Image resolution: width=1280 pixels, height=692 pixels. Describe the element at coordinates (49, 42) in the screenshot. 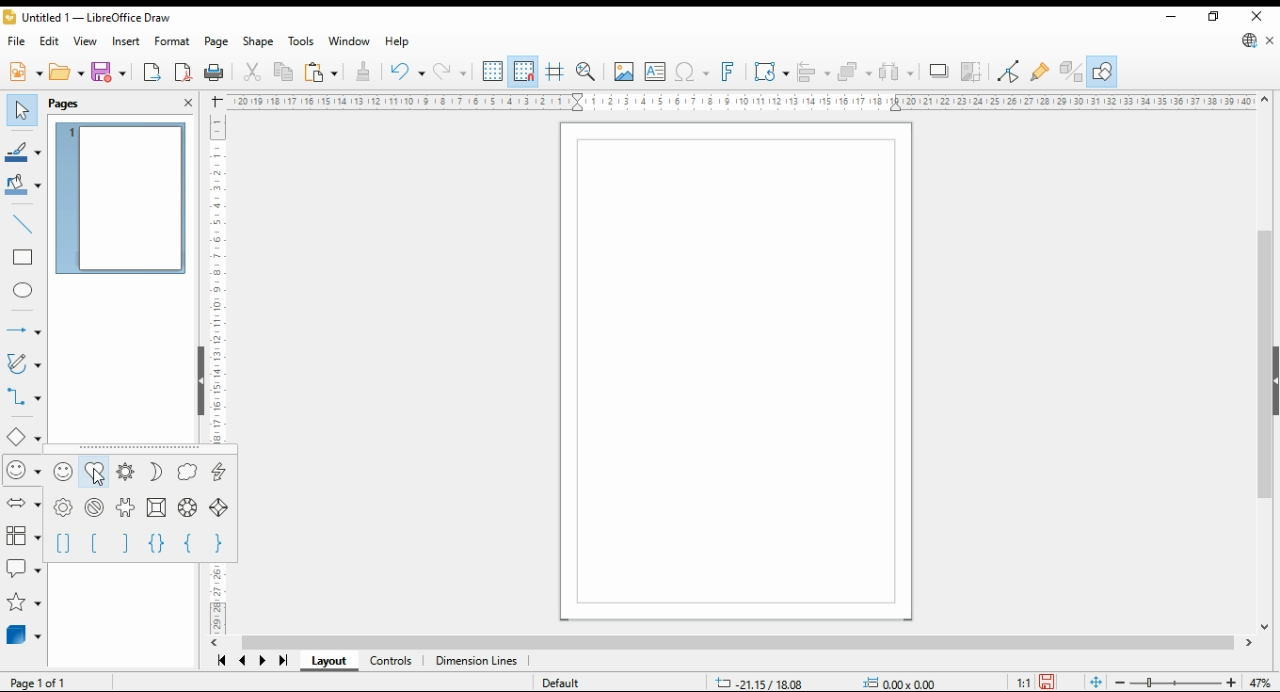

I see `edit` at that location.